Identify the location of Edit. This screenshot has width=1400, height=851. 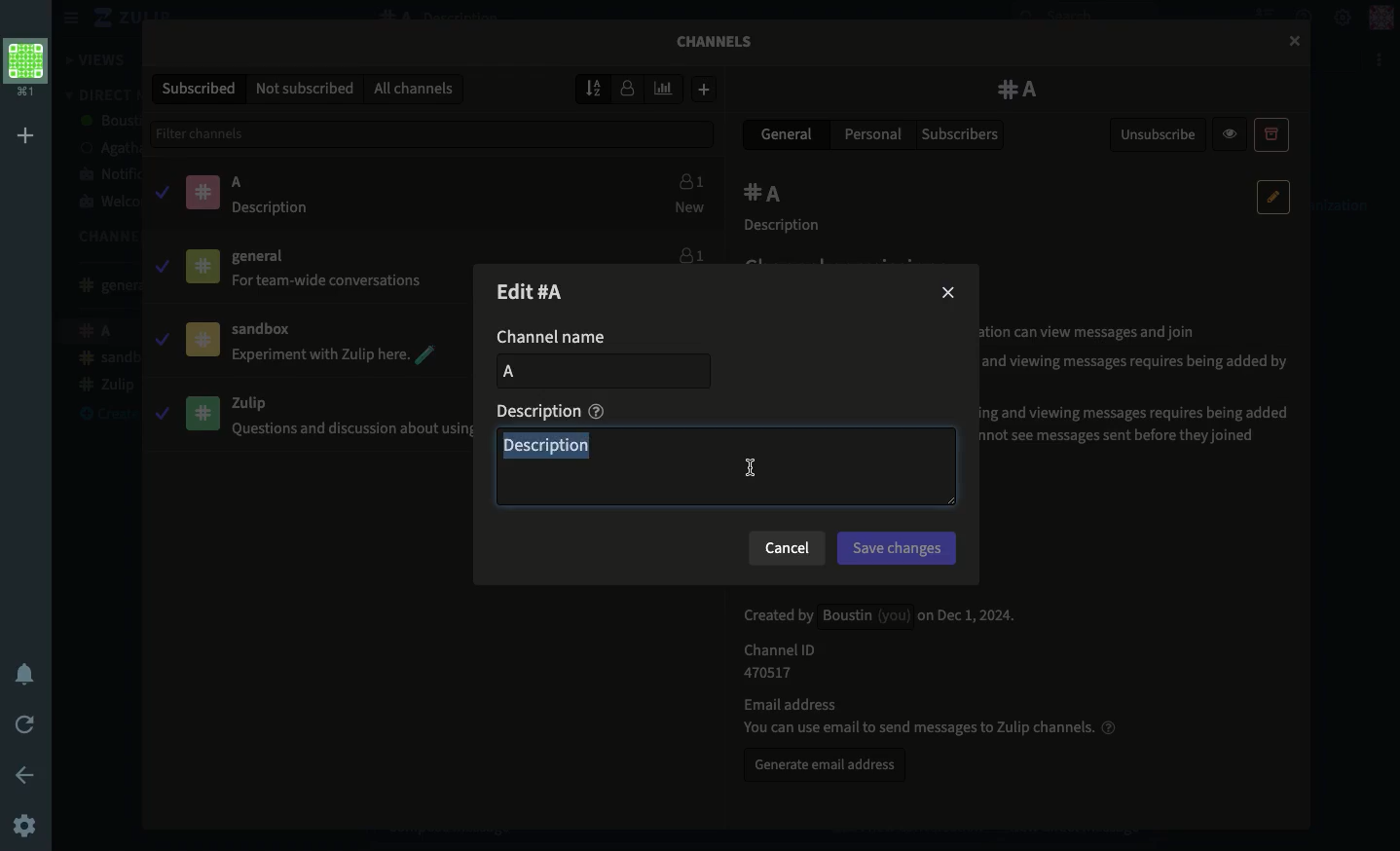
(1274, 197).